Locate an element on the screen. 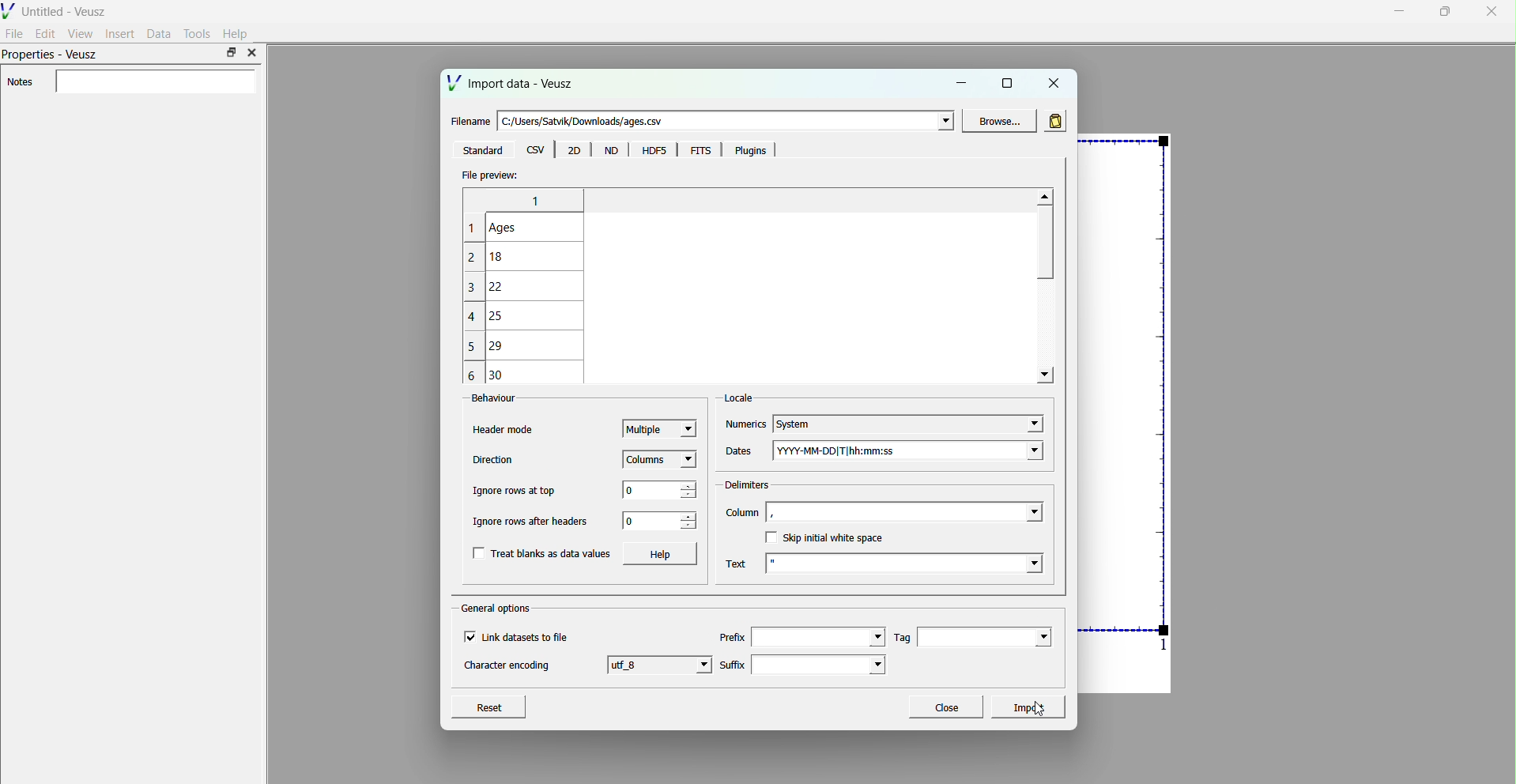 The image size is (1516, 784). Header mode is located at coordinates (501, 432).